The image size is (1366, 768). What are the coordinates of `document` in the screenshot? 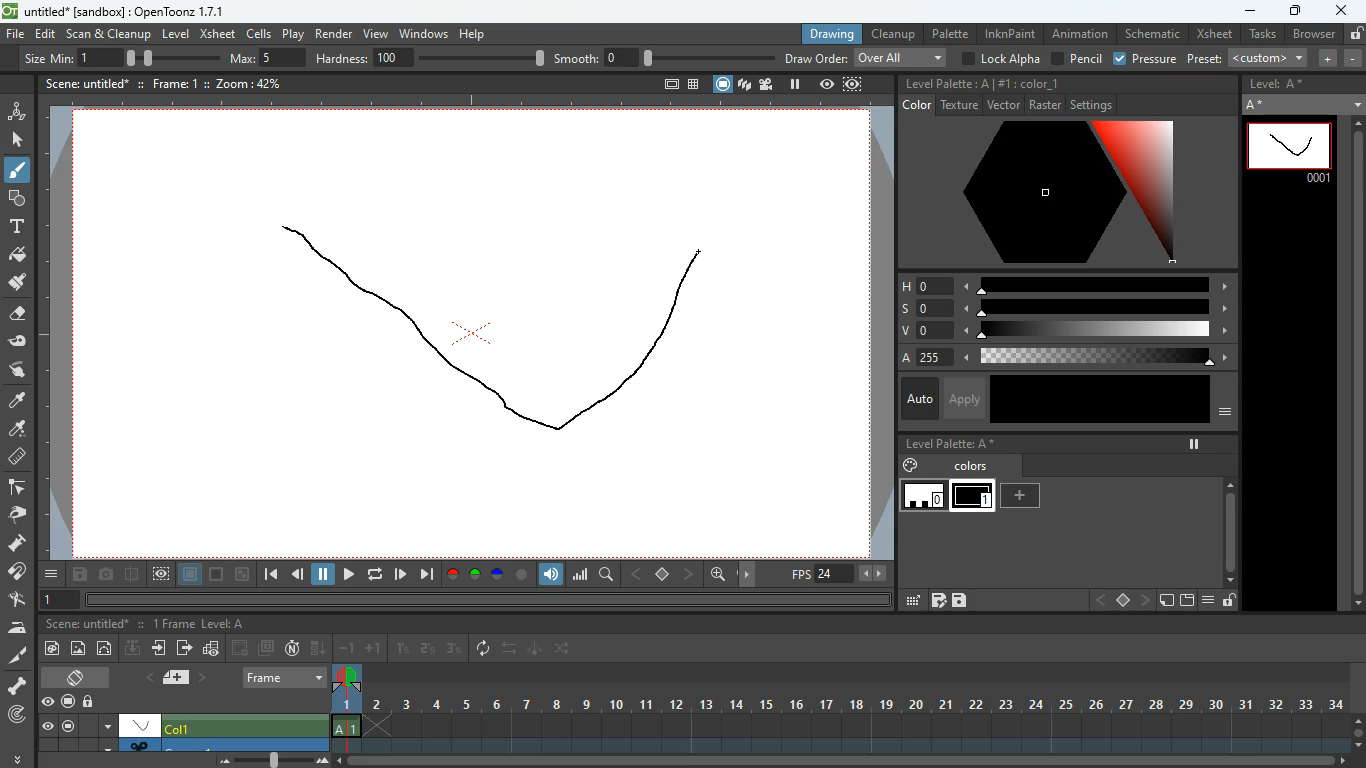 It's located at (1185, 601).